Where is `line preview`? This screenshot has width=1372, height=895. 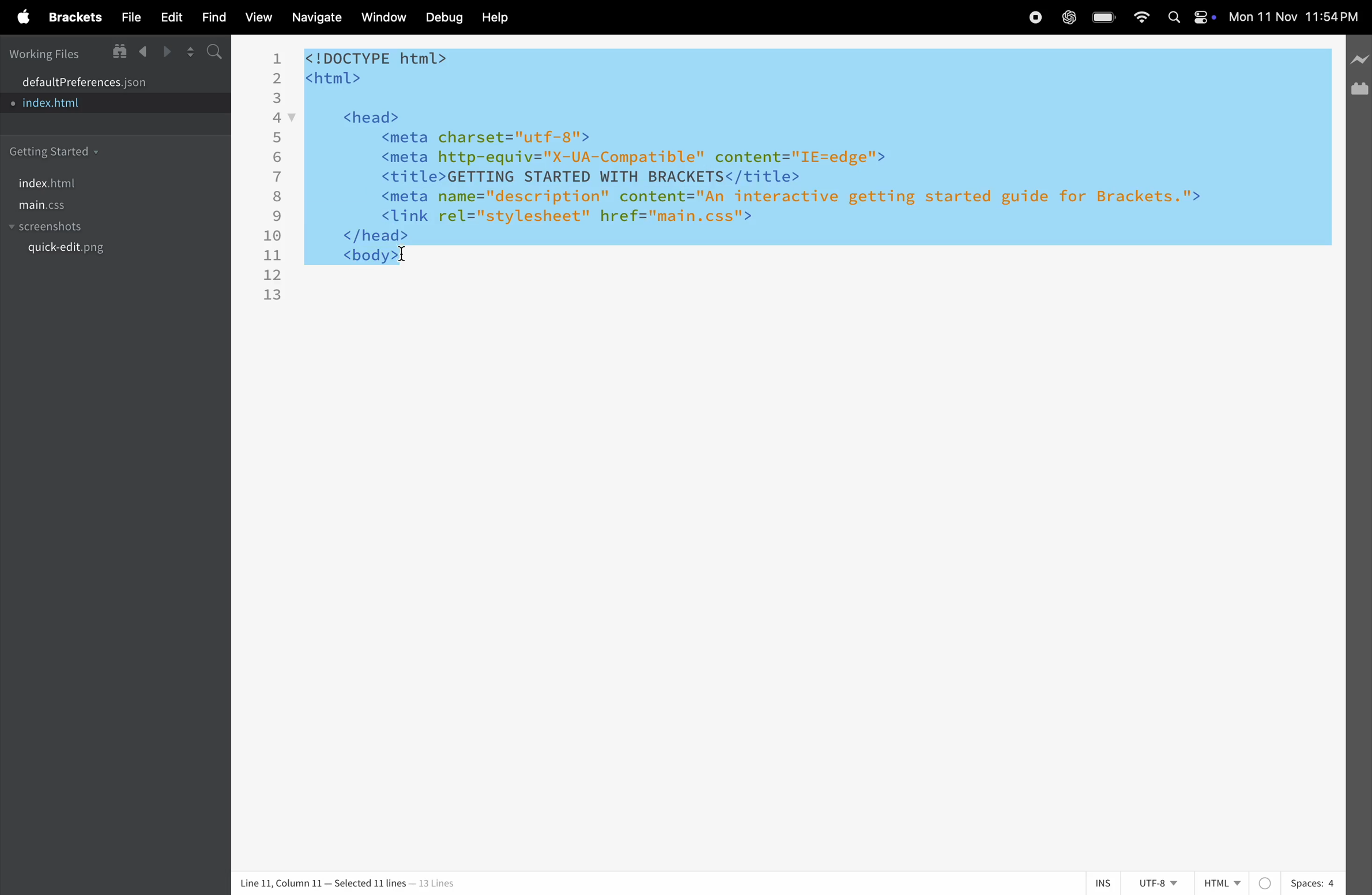
line preview is located at coordinates (1359, 63).